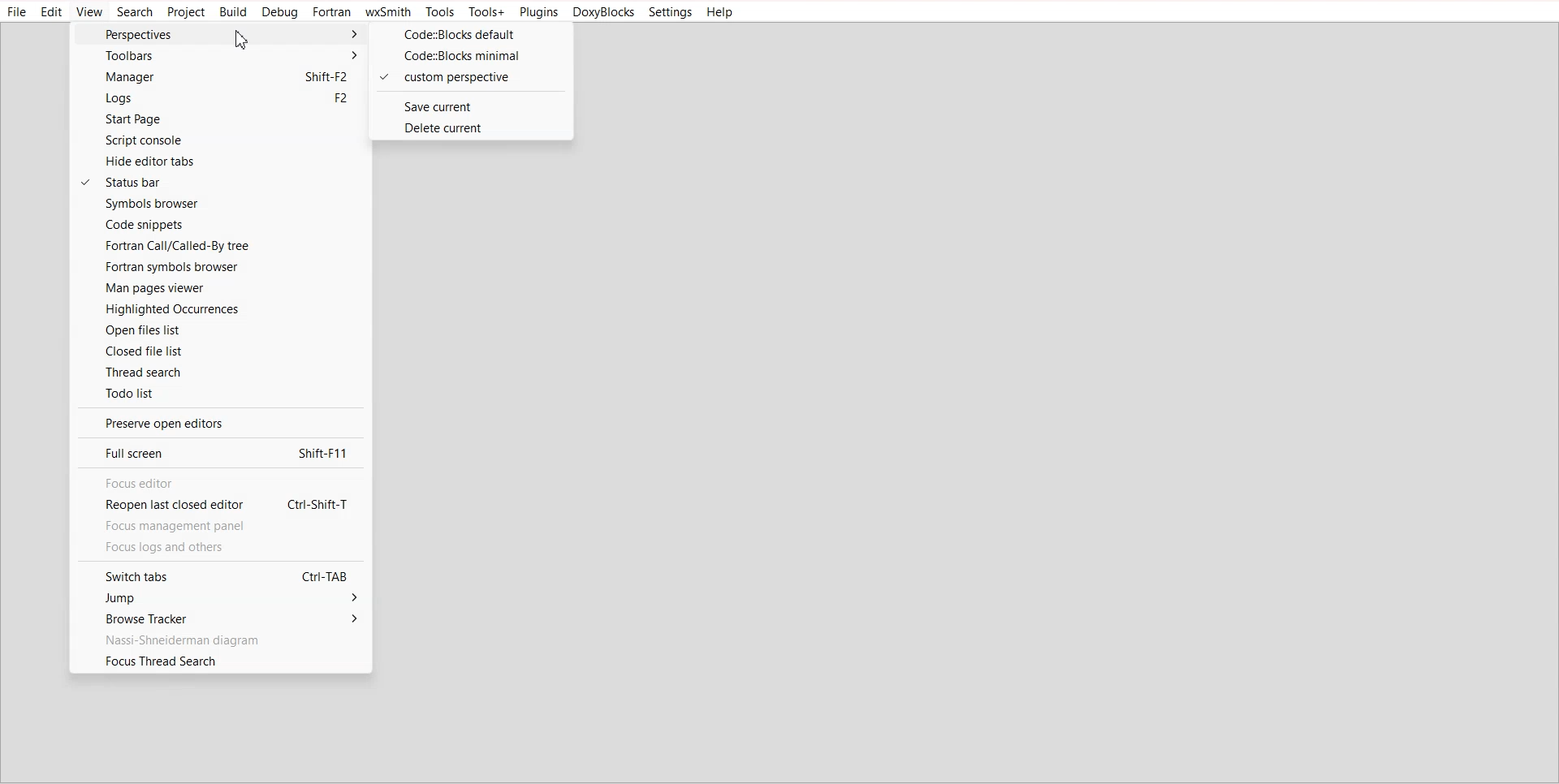 The width and height of the screenshot is (1559, 784). Describe the element at coordinates (215, 506) in the screenshot. I see `Reopen last closed editor` at that location.